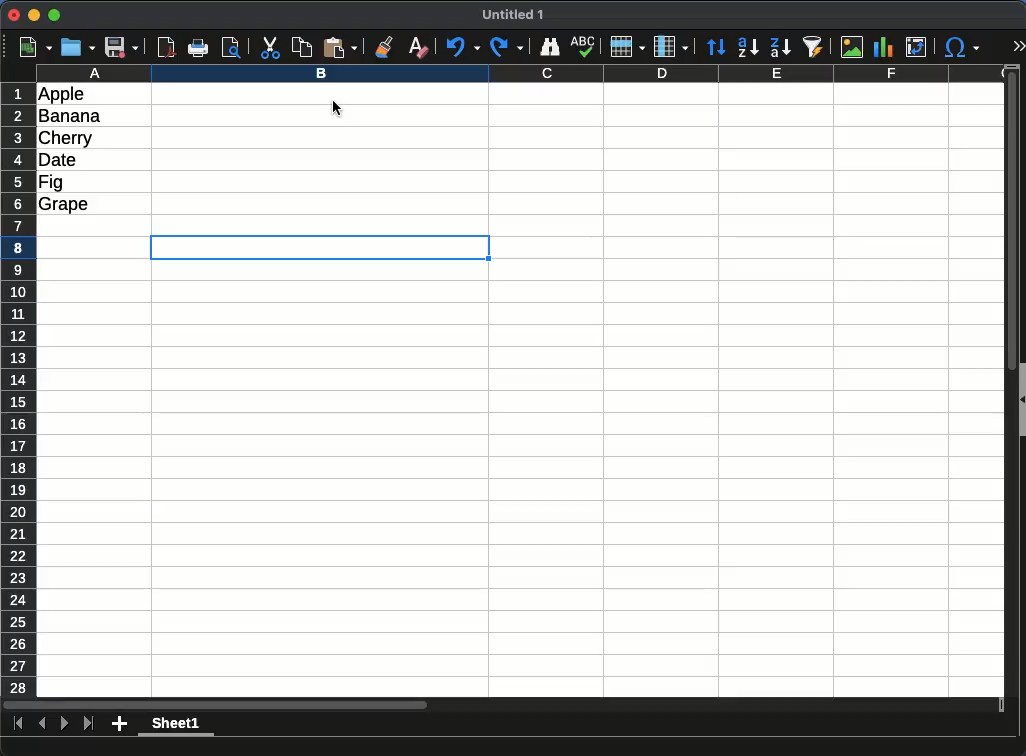 The width and height of the screenshot is (1026, 756). I want to click on banana, so click(70, 116).